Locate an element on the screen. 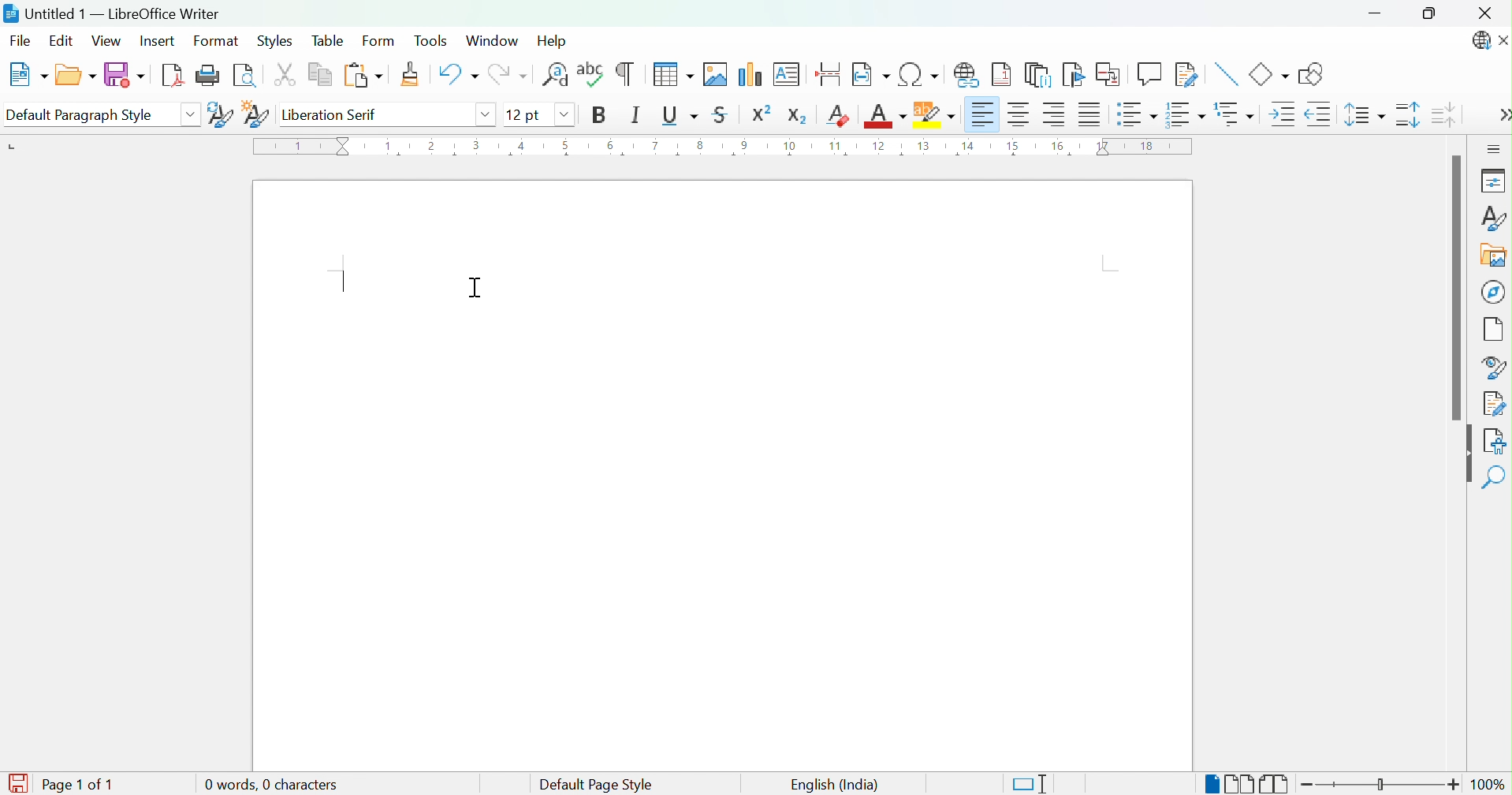  Multiple-page view is located at coordinates (1240, 784).